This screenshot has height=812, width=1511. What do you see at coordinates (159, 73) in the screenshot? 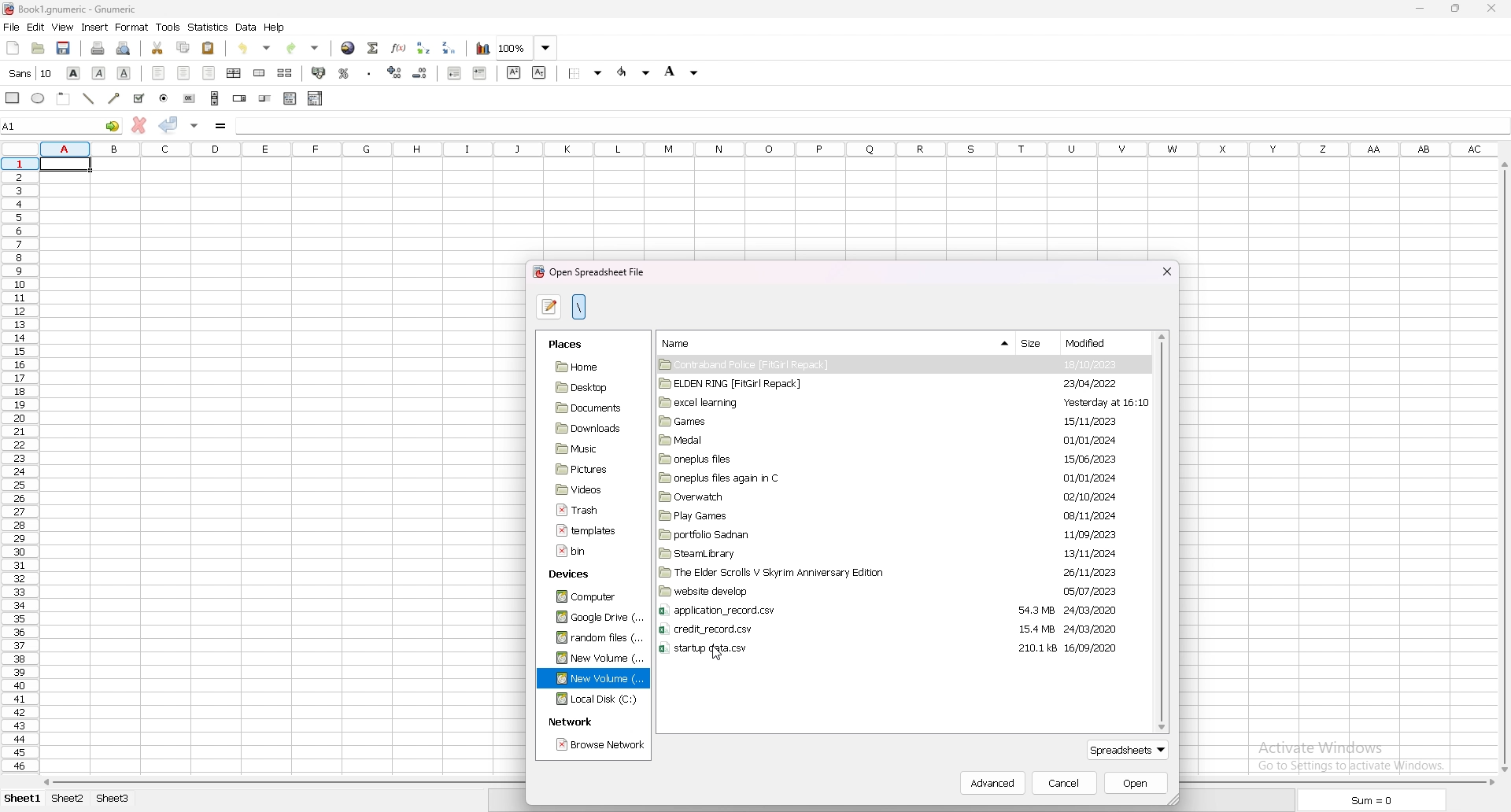
I see `left align` at bounding box center [159, 73].